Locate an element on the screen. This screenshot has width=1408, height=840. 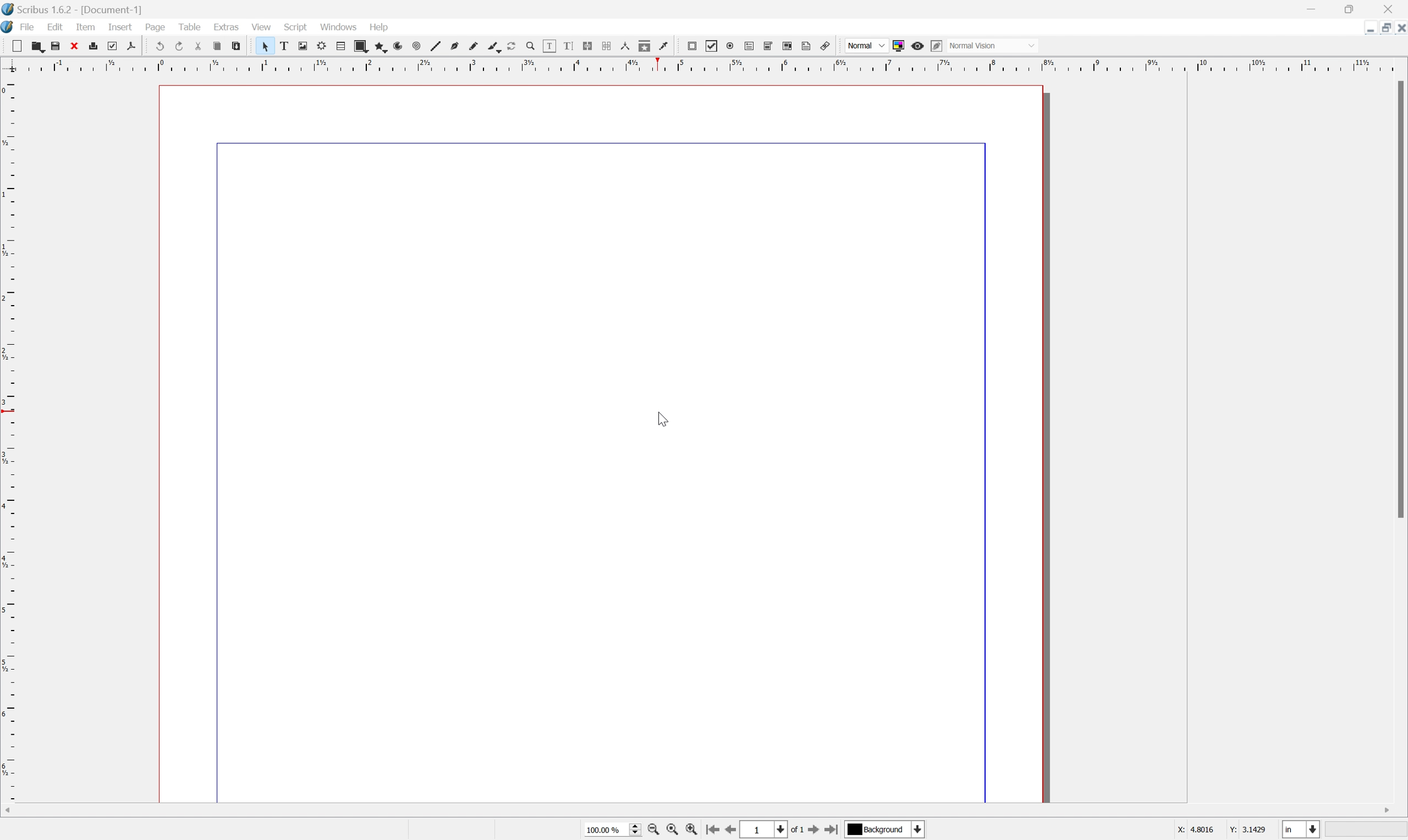
line is located at coordinates (436, 46).